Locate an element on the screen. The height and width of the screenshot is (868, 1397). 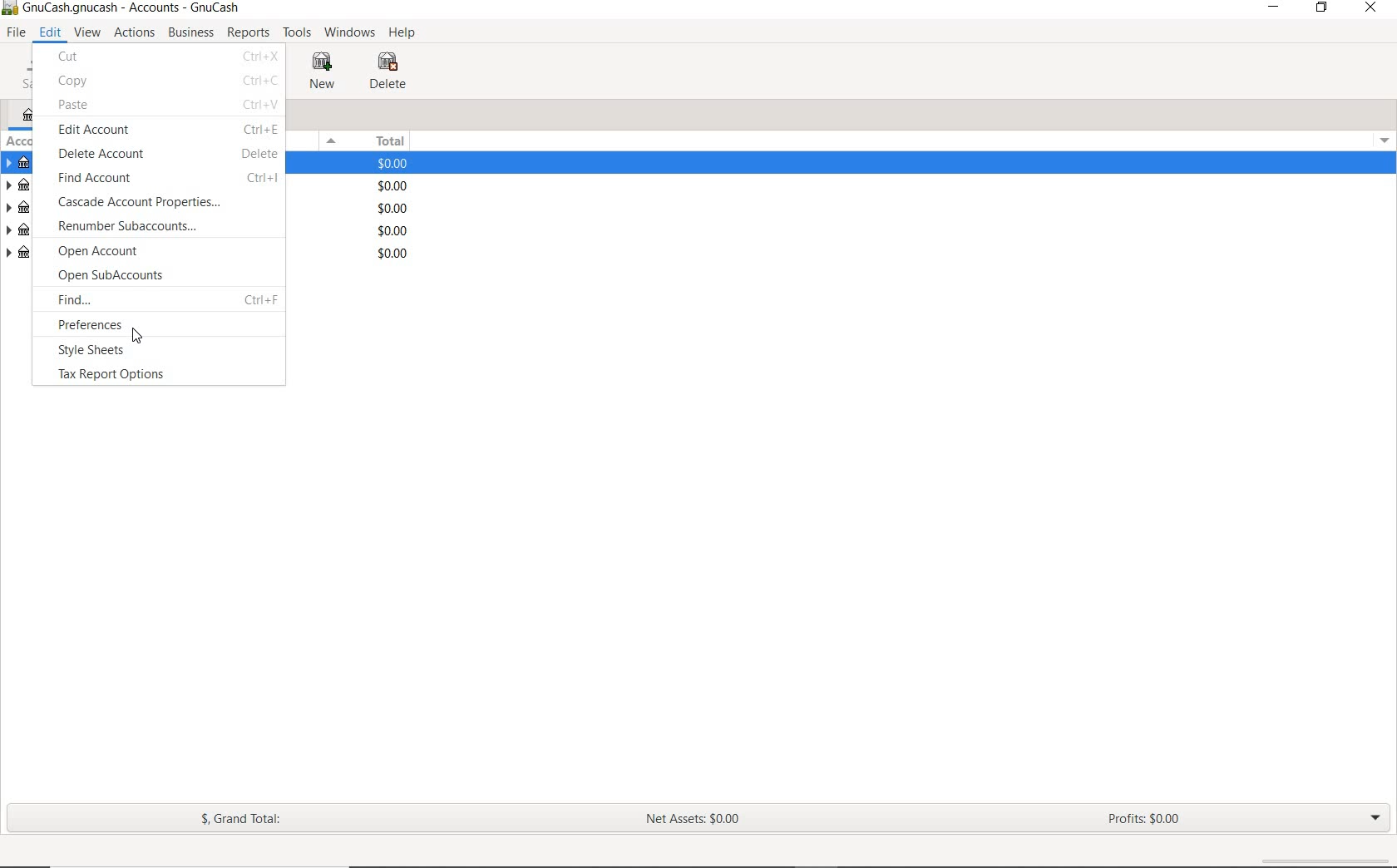
DELETE ACCOUNT is located at coordinates (167, 156).